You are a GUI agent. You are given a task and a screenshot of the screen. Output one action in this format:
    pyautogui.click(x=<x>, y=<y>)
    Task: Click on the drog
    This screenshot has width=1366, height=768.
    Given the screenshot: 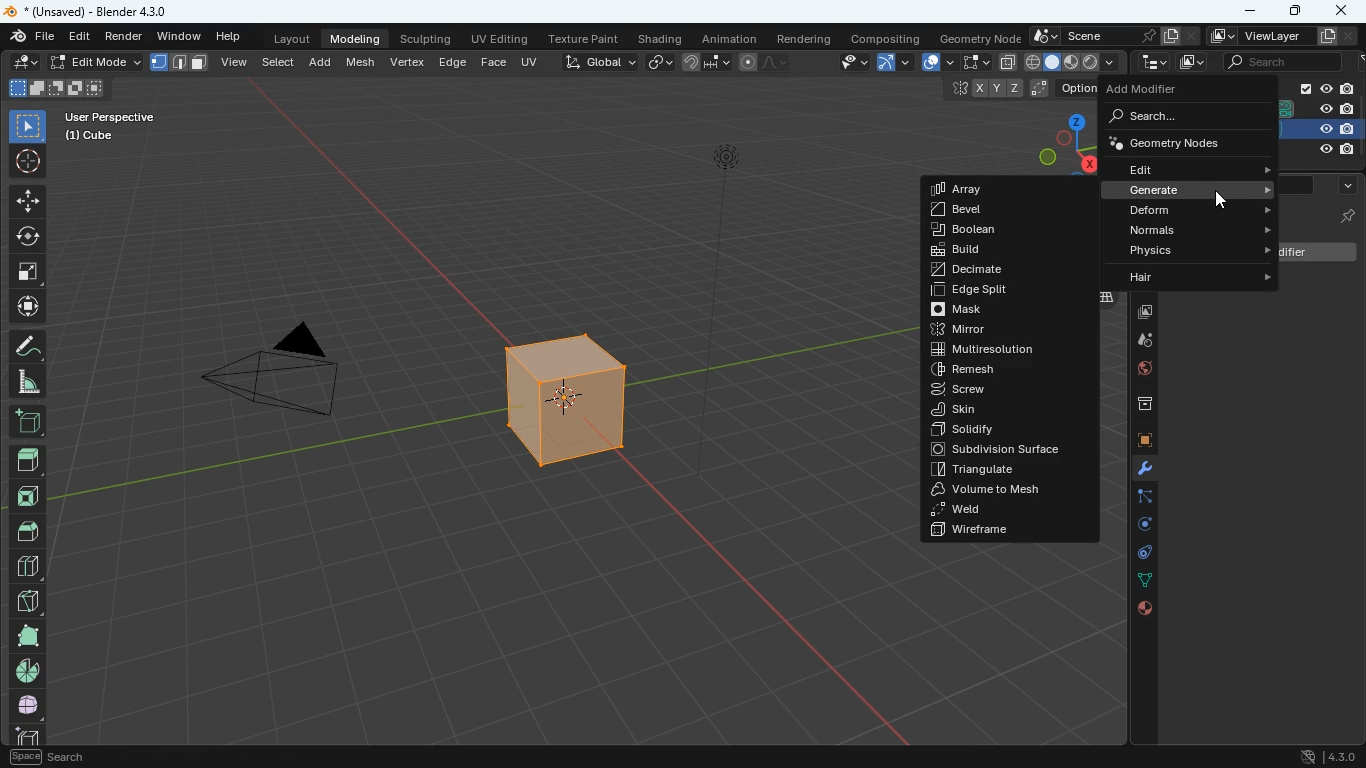 What is the action you would take?
    pyautogui.click(x=1137, y=340)
    